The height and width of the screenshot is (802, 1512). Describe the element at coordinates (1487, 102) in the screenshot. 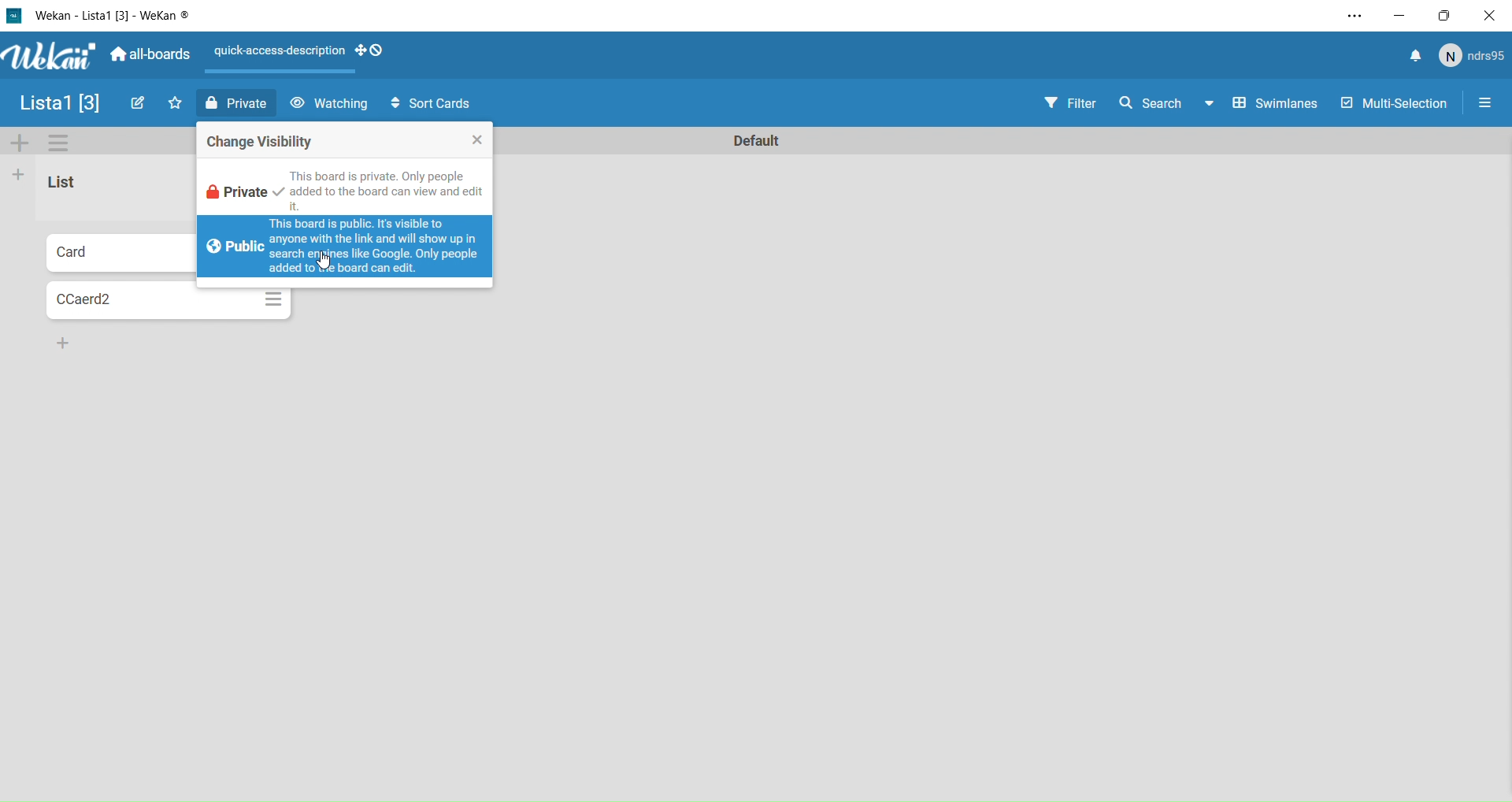

I see `Options` at that location.